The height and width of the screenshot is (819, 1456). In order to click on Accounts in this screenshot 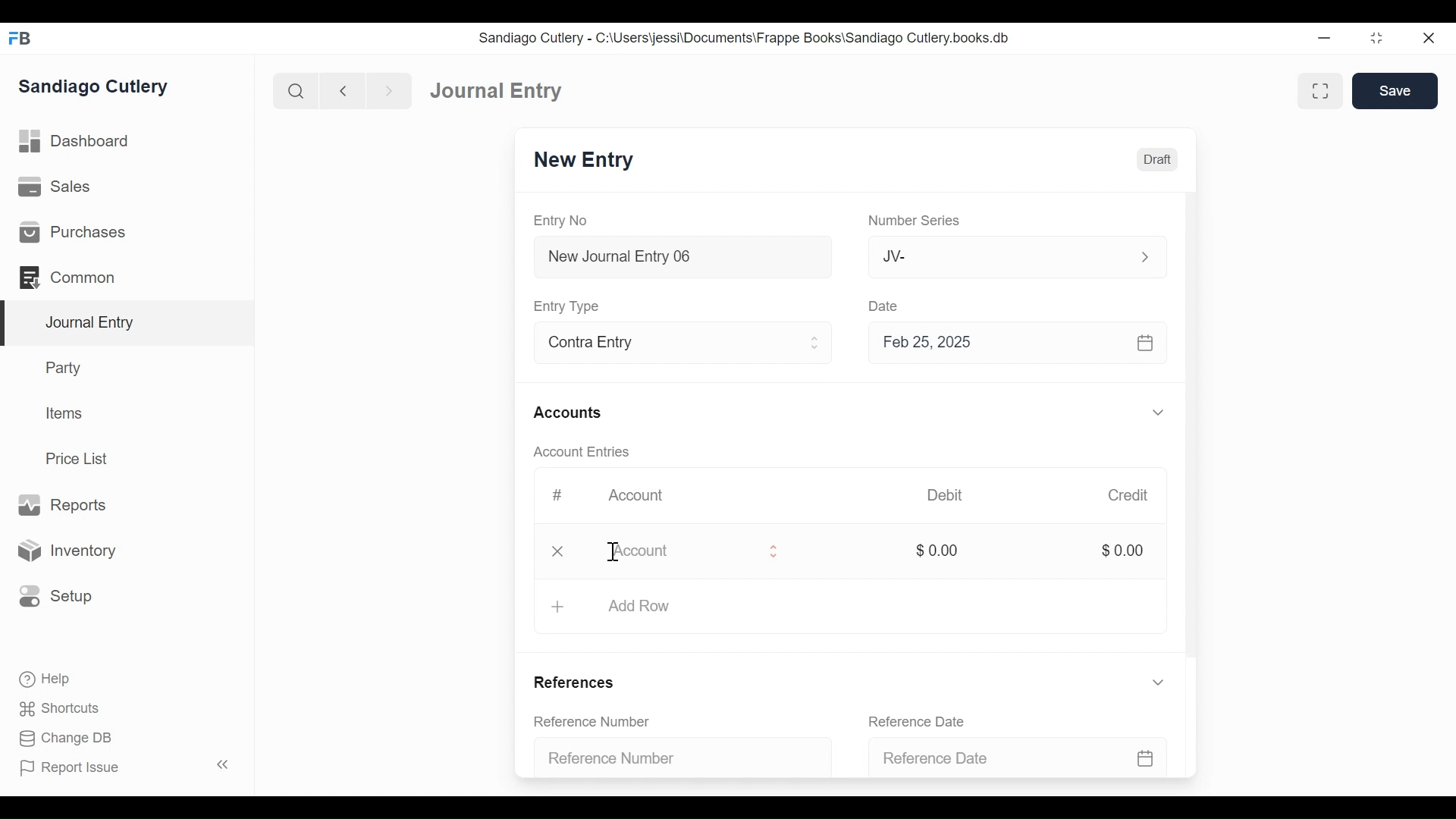, I will do `click(572, 414)`.